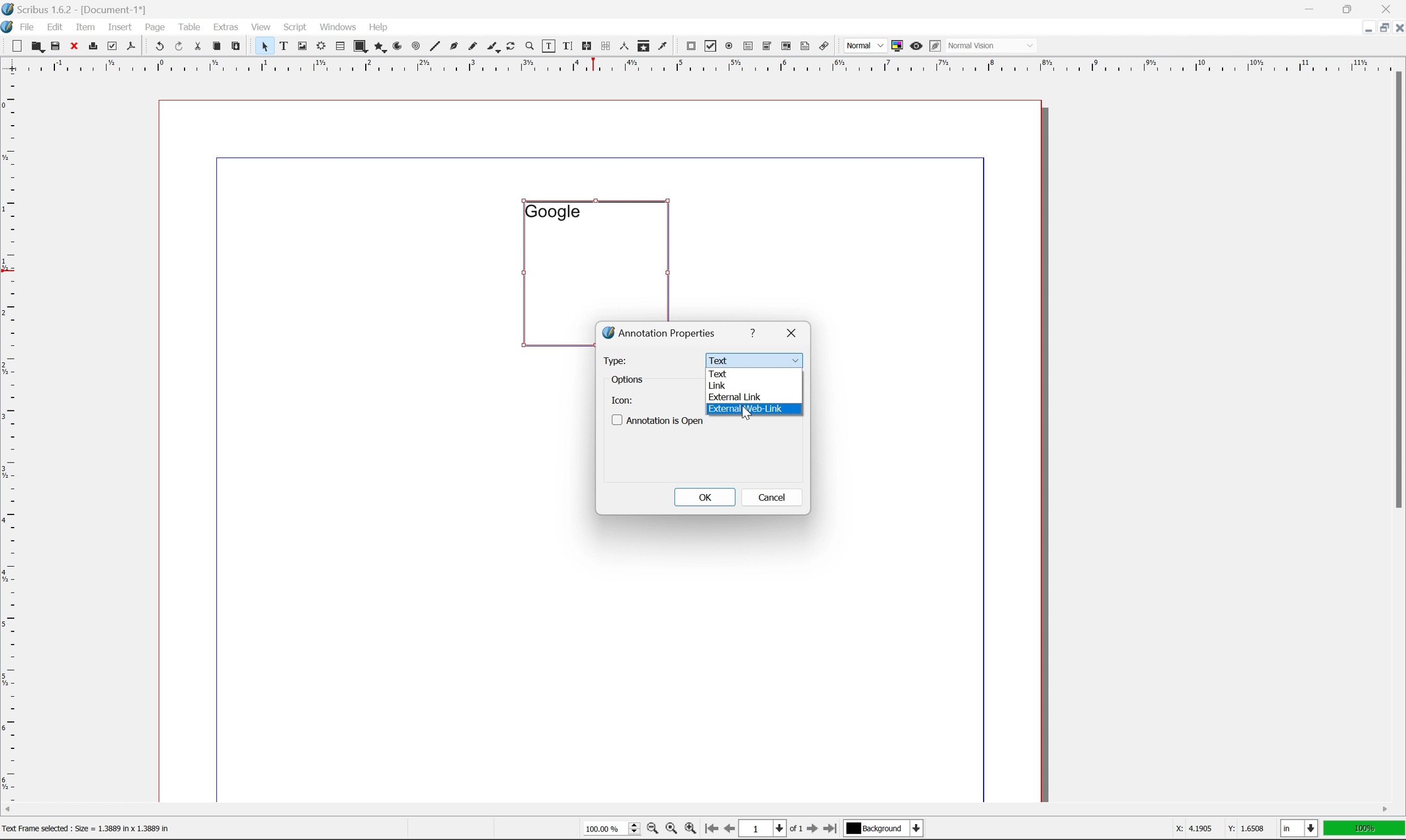 The height and width of the screenshot is (840, 1406). Describe the element at coordinates (155, 27) in the screenshot. I see `page` at that location.